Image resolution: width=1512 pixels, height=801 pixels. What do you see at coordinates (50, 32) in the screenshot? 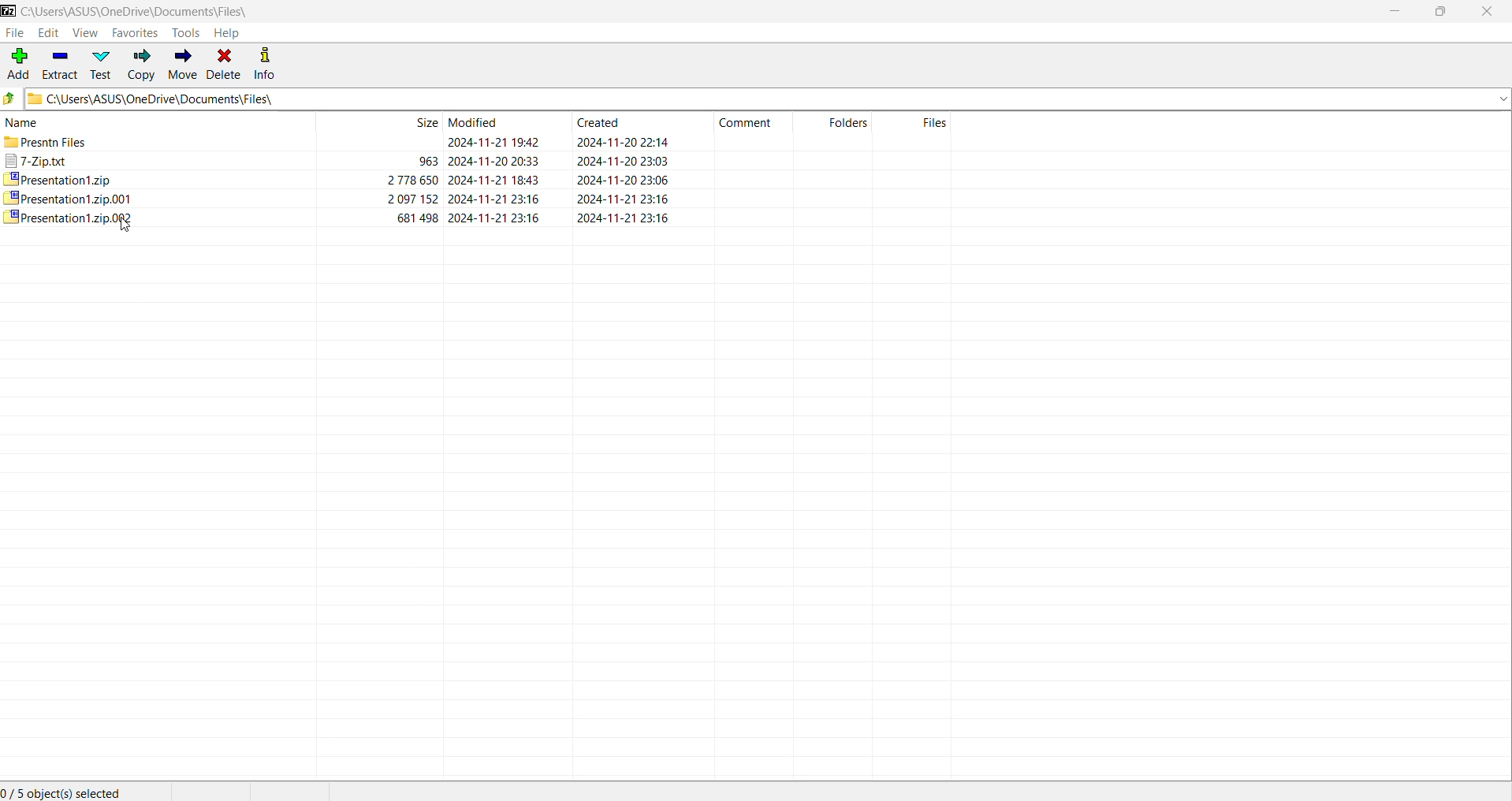
I see `Edit` at bounding box center [50, 32].